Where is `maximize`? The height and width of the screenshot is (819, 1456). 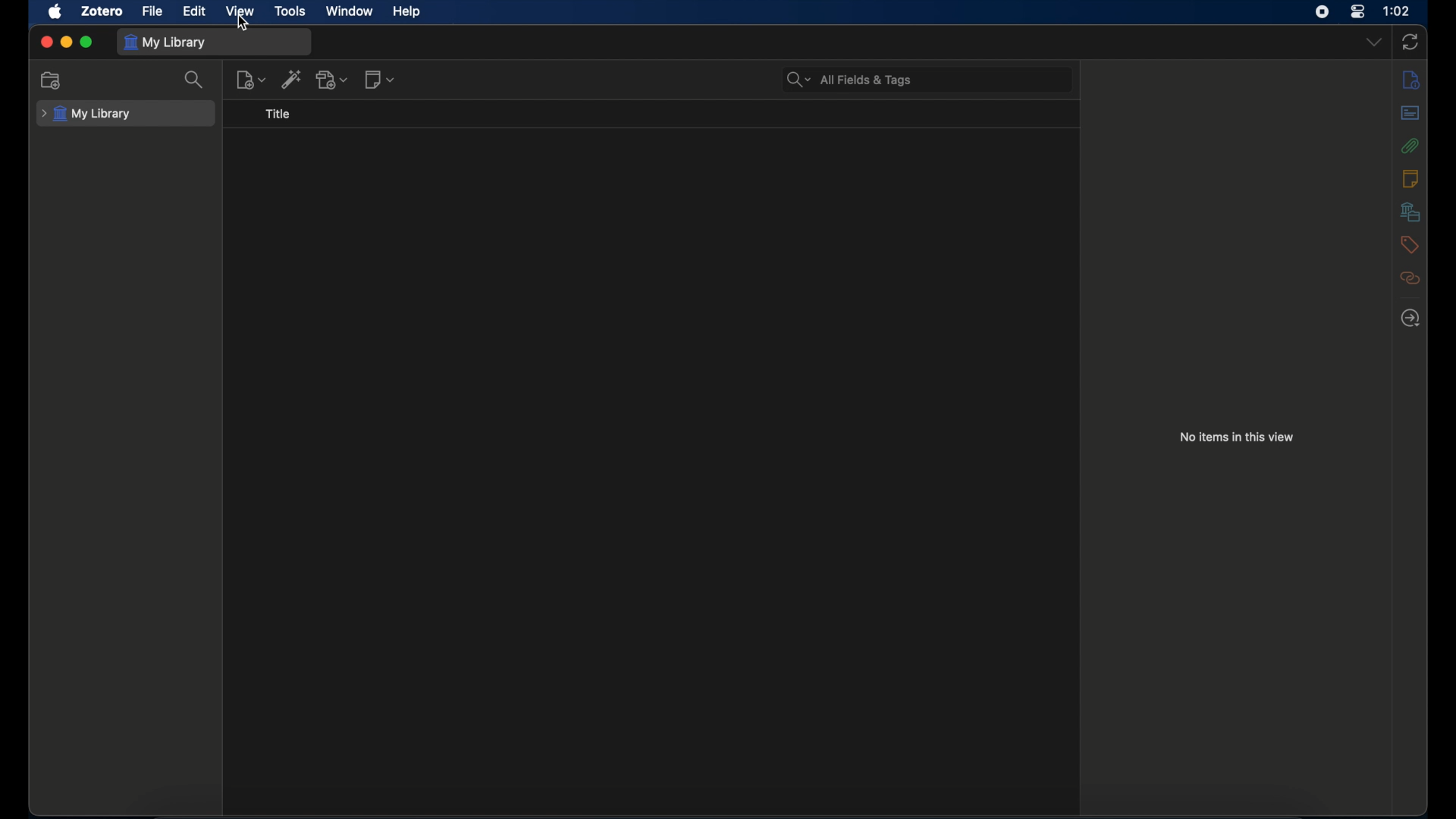
maximize is located at coordinates (86, 42).